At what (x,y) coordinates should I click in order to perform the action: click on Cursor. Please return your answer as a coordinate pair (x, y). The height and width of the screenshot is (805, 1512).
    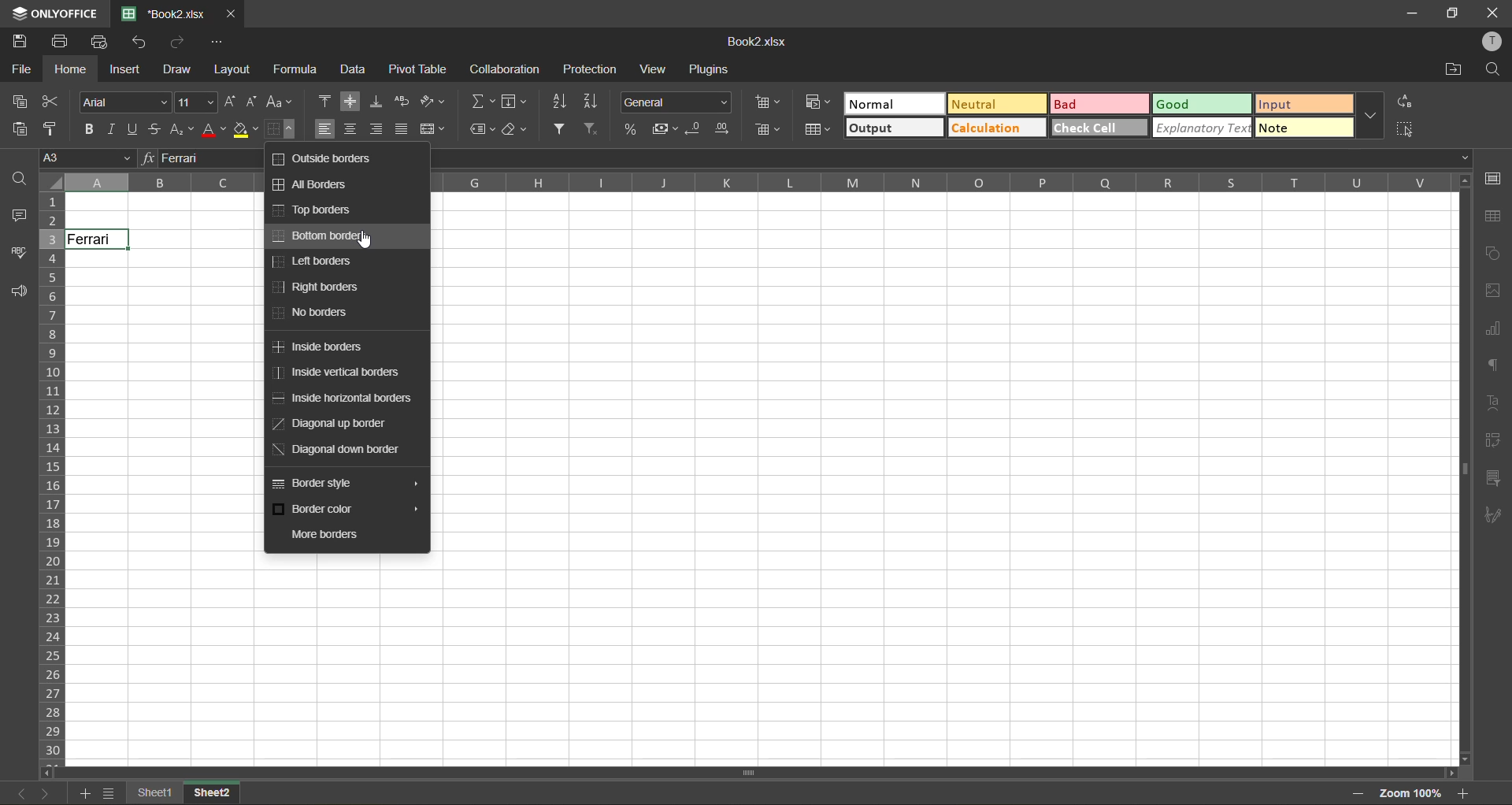
    Looking at the image, I should click on (368, 239).